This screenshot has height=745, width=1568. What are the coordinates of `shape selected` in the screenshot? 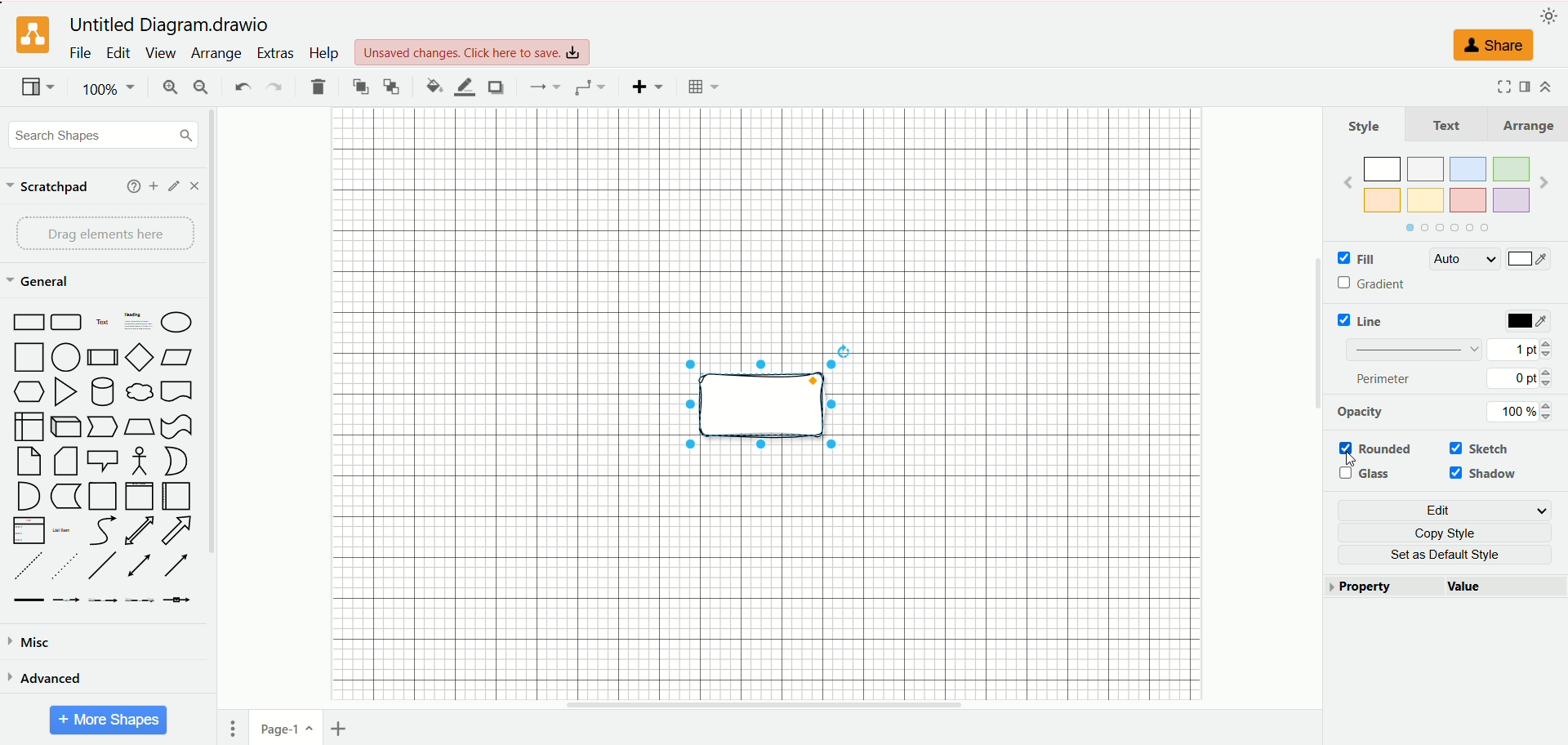 It's located at (767, 408).